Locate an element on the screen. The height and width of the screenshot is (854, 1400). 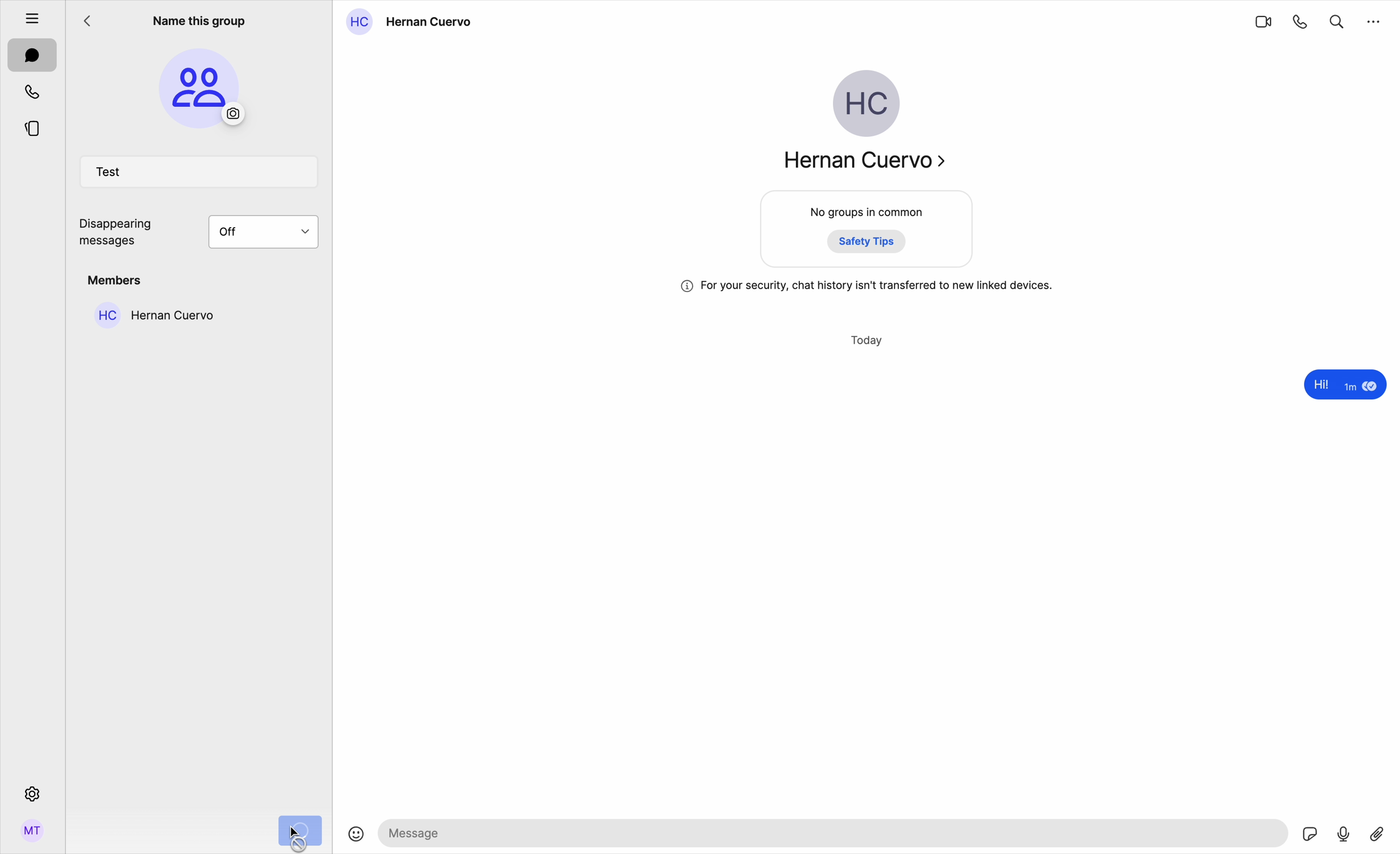
hernan cuervo  is located at coordinates (151, 314).